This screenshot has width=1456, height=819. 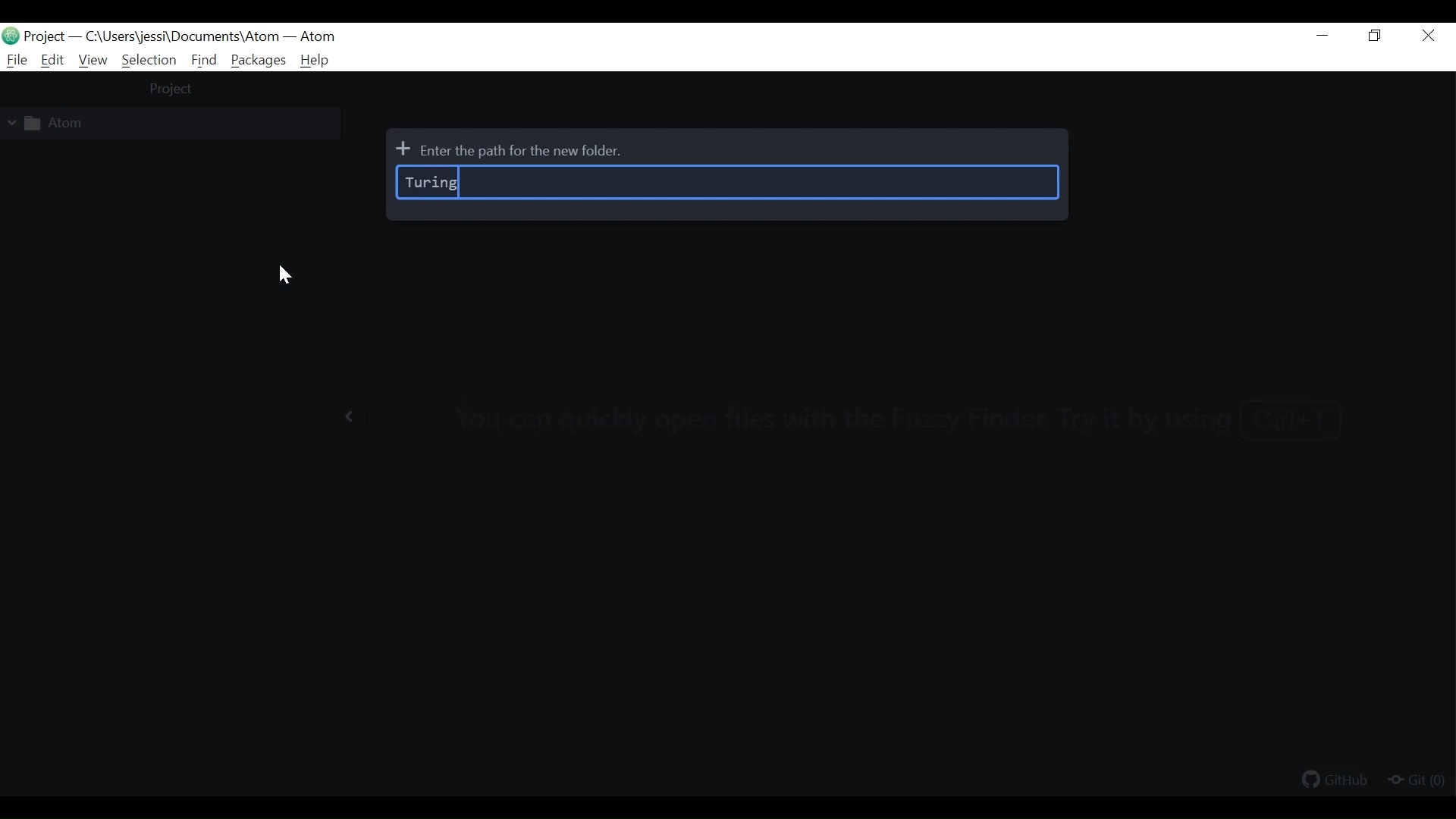 I want to click on Edit, so click(x=53, y=60).